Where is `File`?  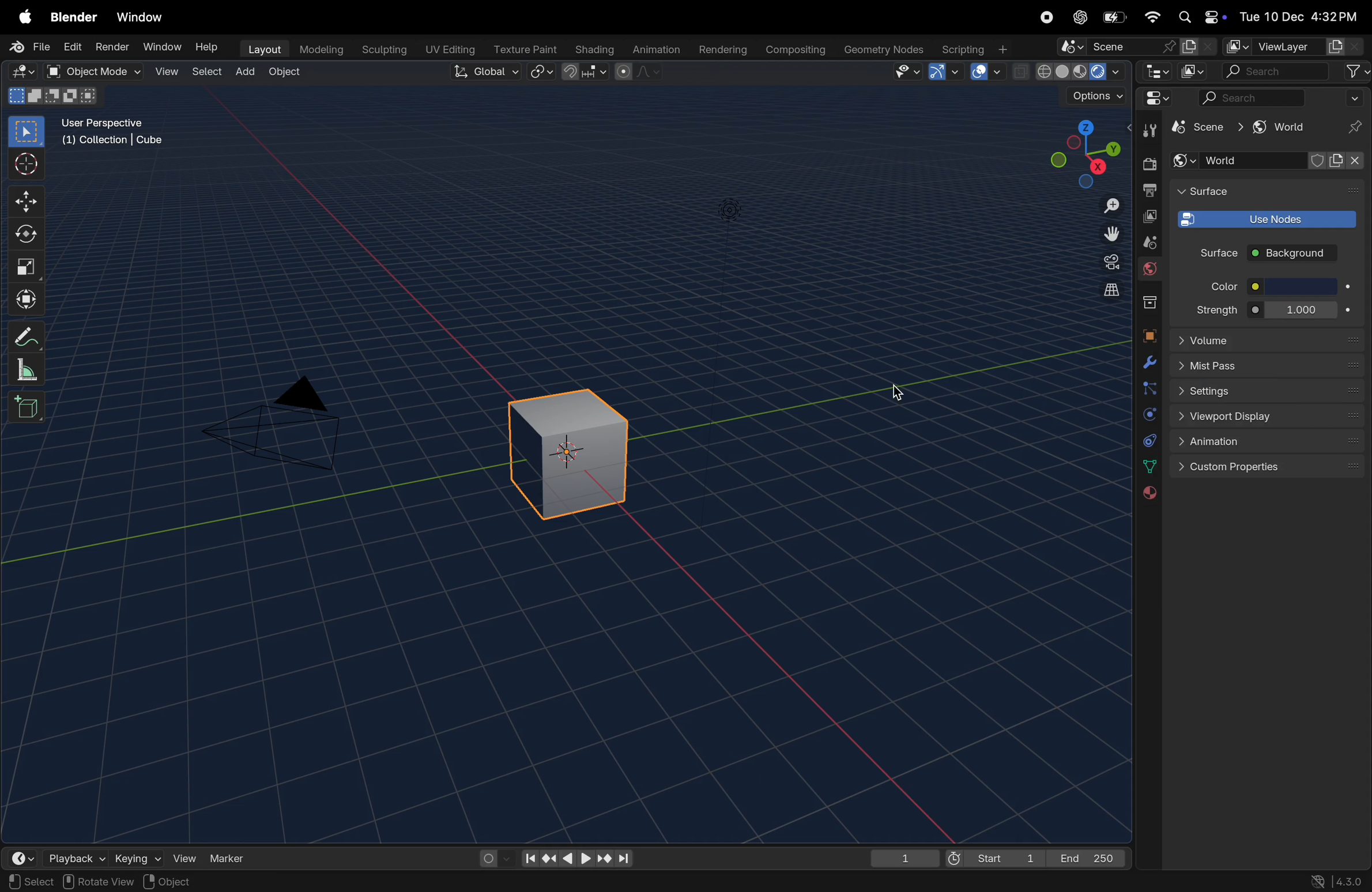 File is located at coordinates (28, 47).